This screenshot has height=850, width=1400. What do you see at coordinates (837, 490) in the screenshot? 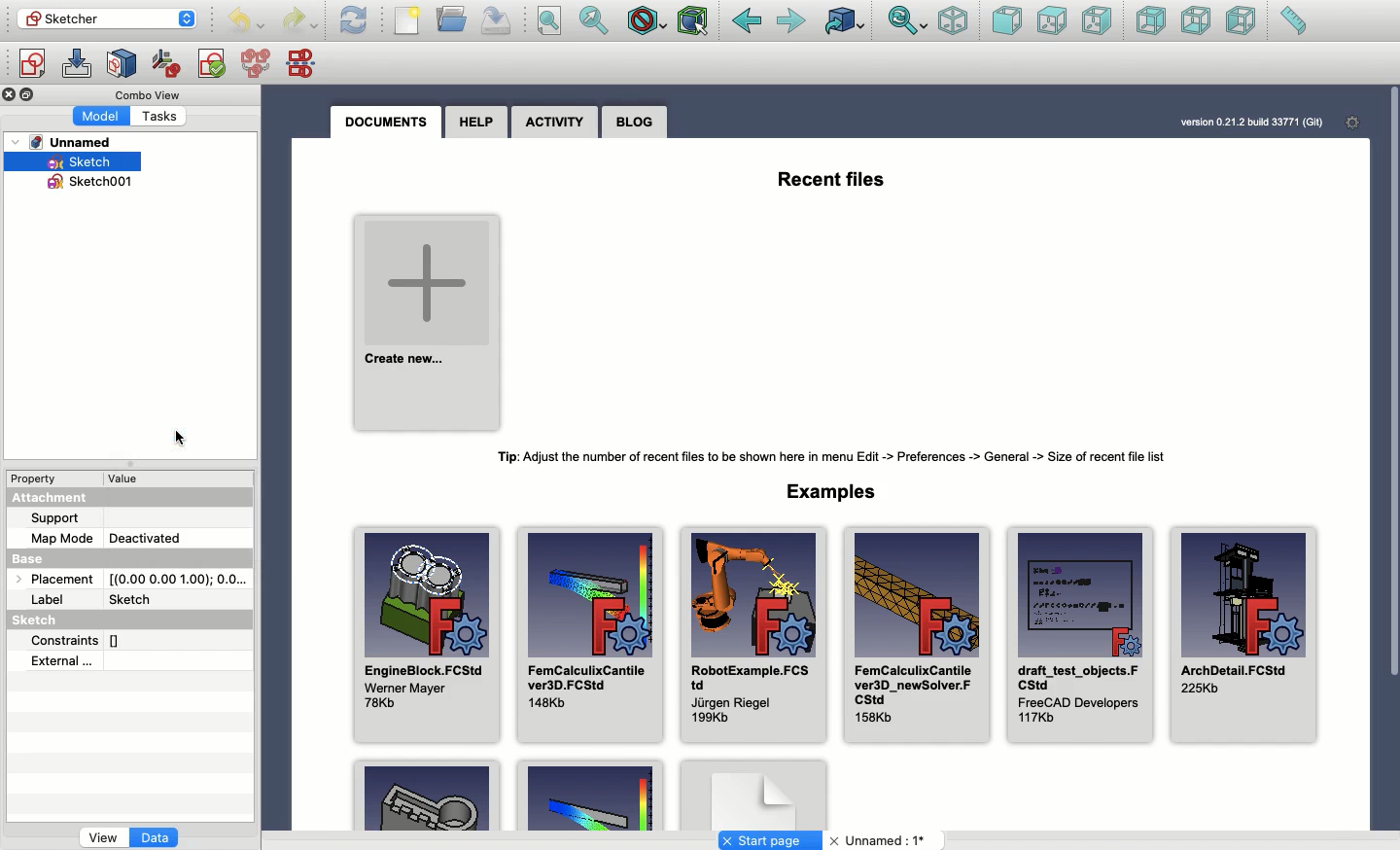
I see `Examples` at bounding box center [837, 490].